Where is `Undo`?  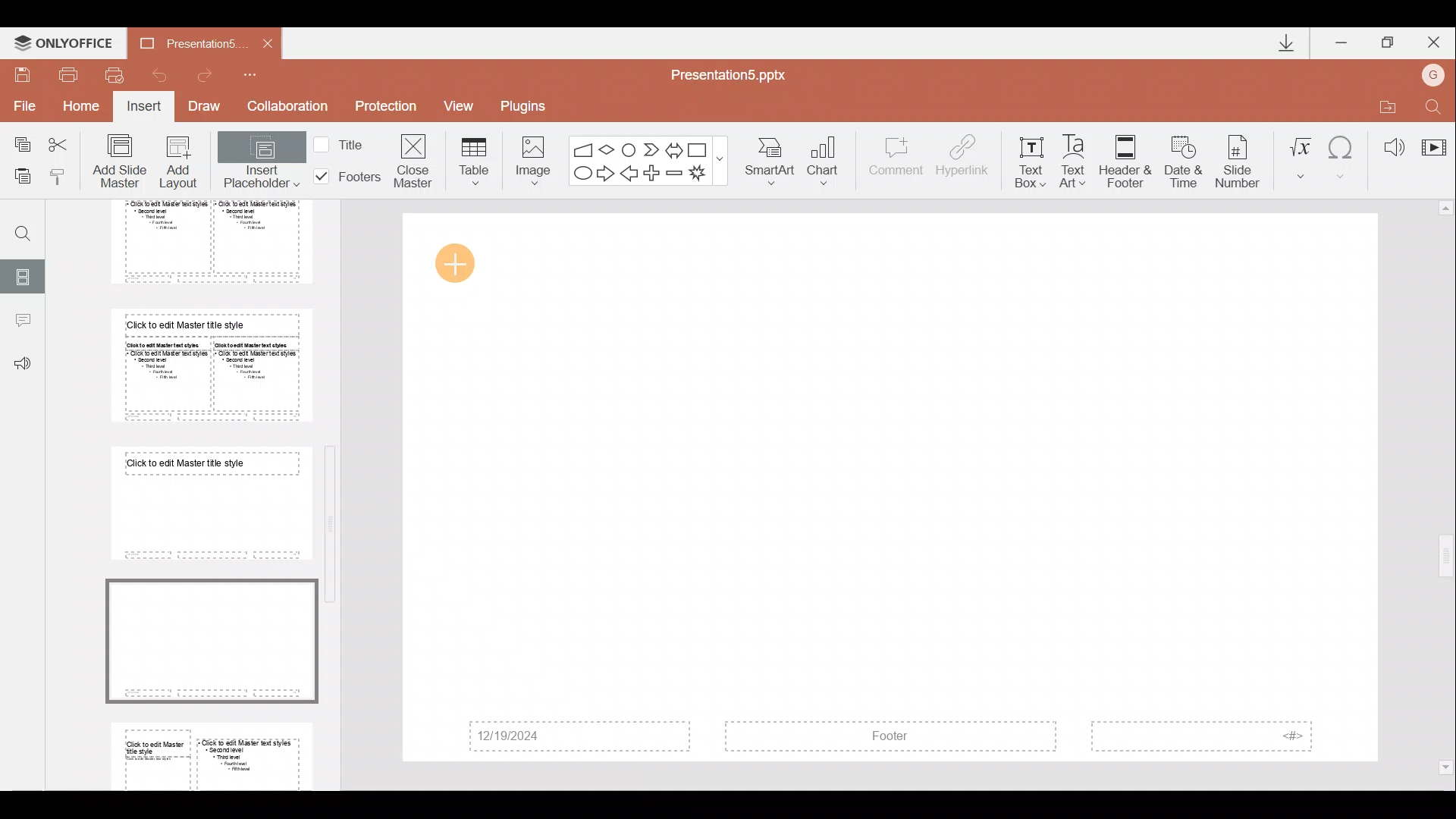 Undo is located at coordinates (158, 74).